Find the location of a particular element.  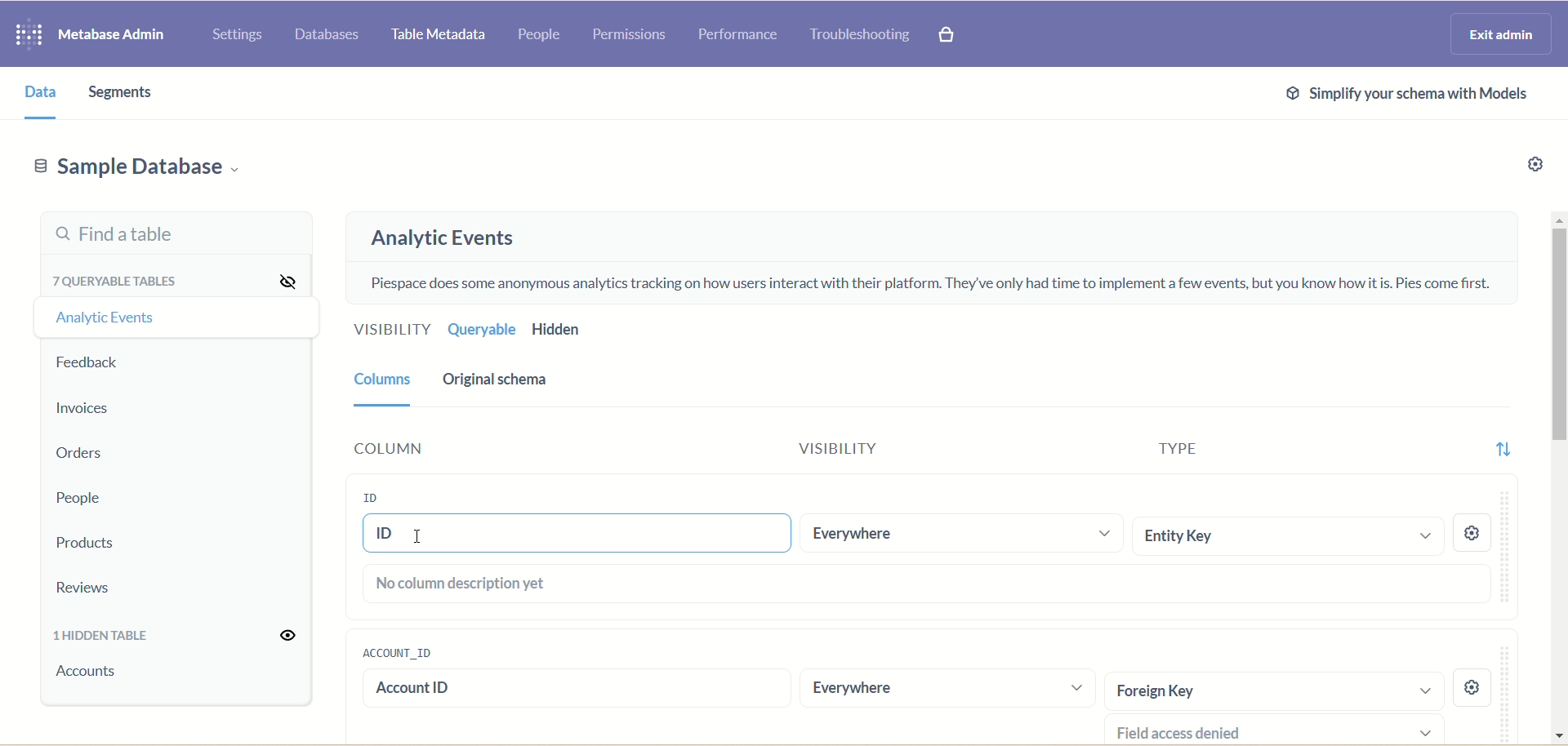

Table metadata is located at coordinates (440, 35).